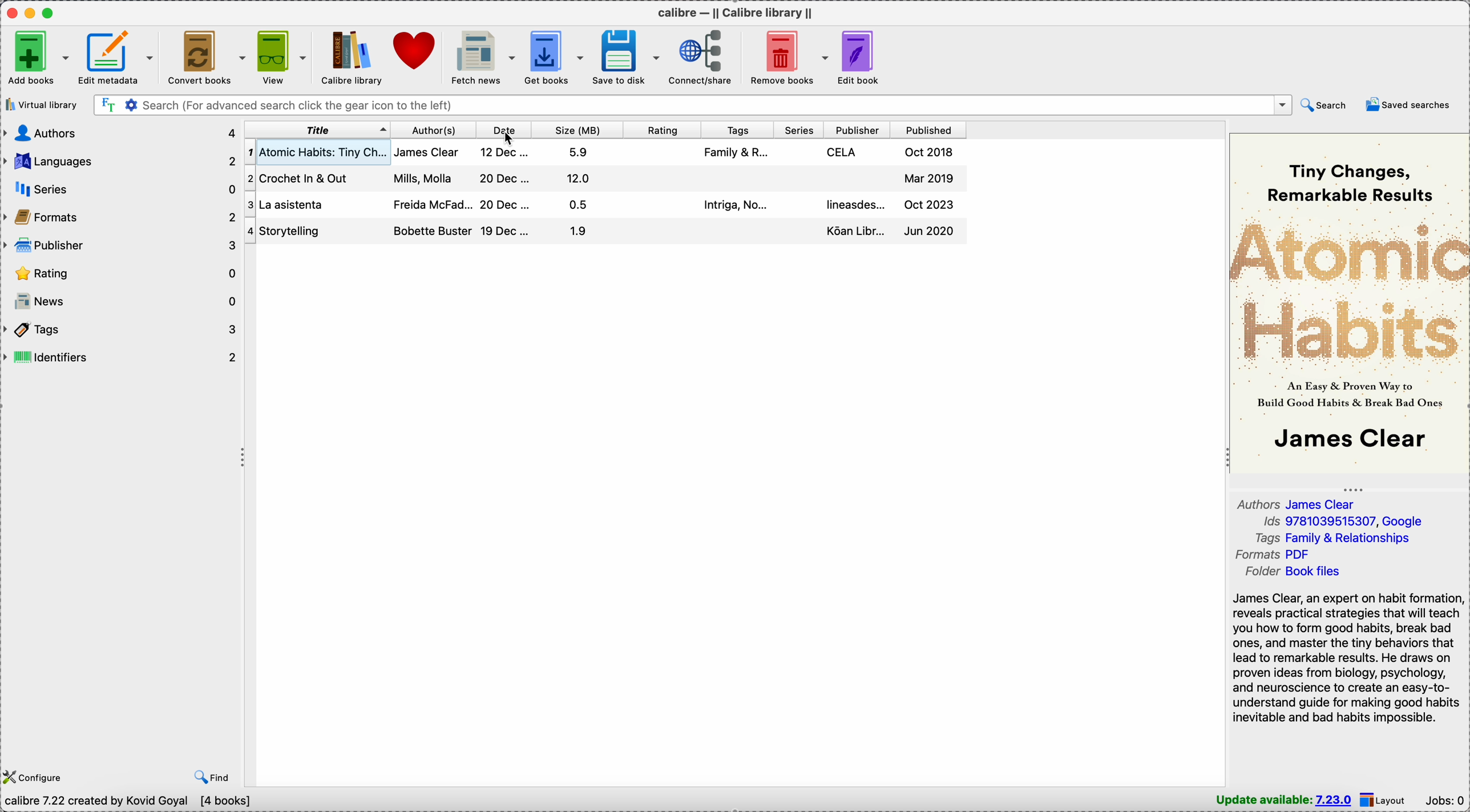 This screenshot has width=1470, height=812. What do you see at coordinates (556, 58) in the screenshot?
I see `get books` at bounding box center [556, 58].